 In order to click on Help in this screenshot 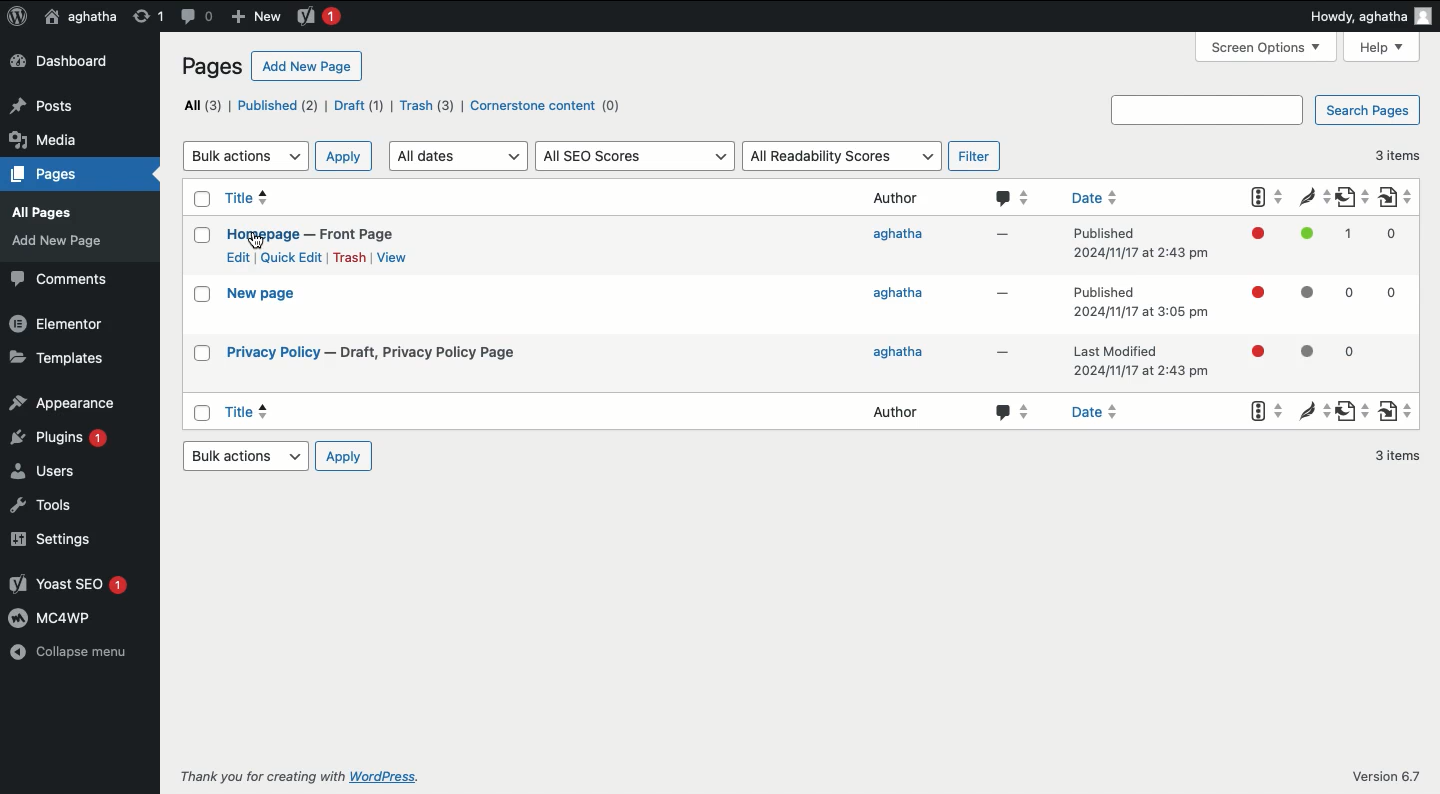, I will do `click(1385, 47)`.